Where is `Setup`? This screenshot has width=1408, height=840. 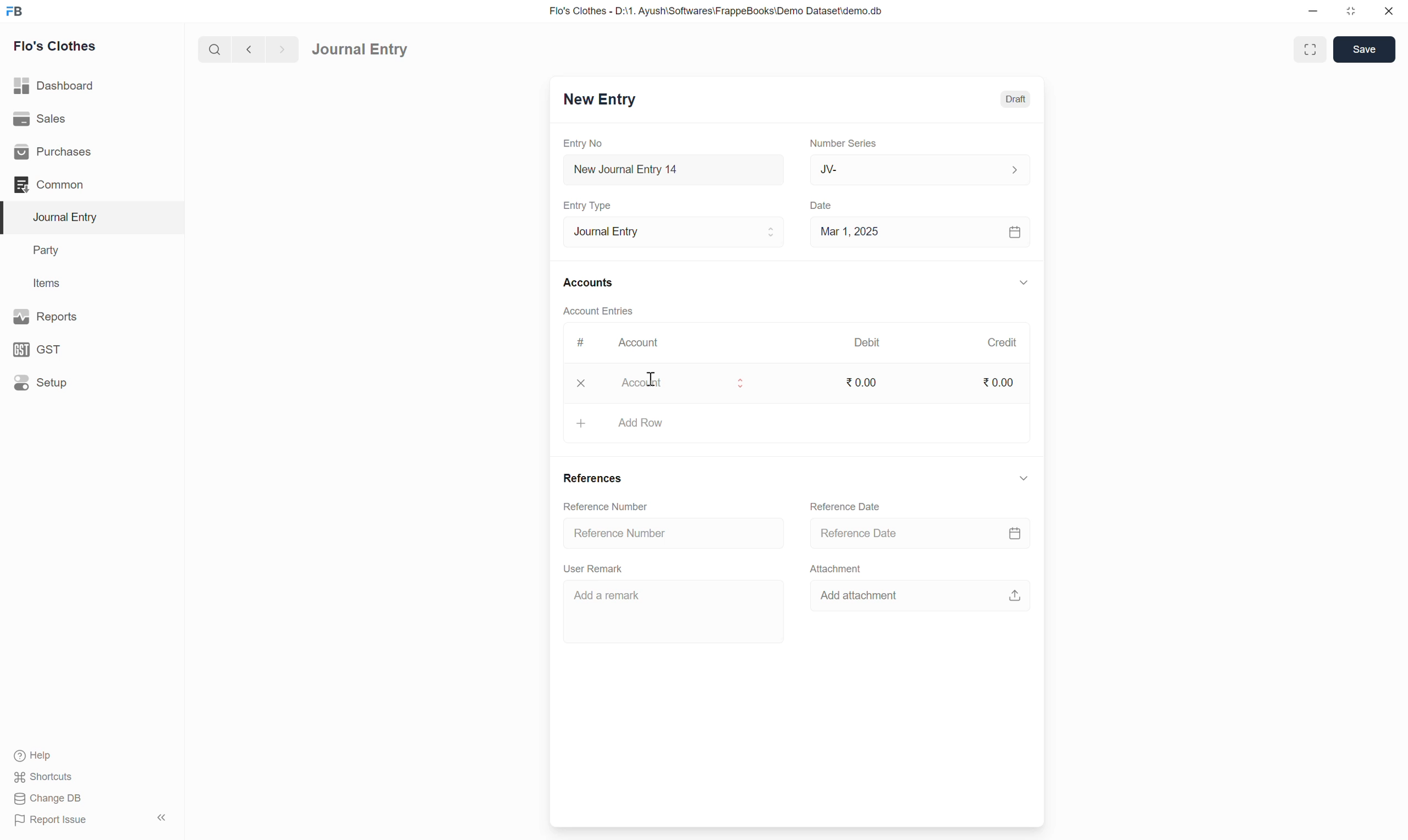
Setup is located at coordinates (41, 382).